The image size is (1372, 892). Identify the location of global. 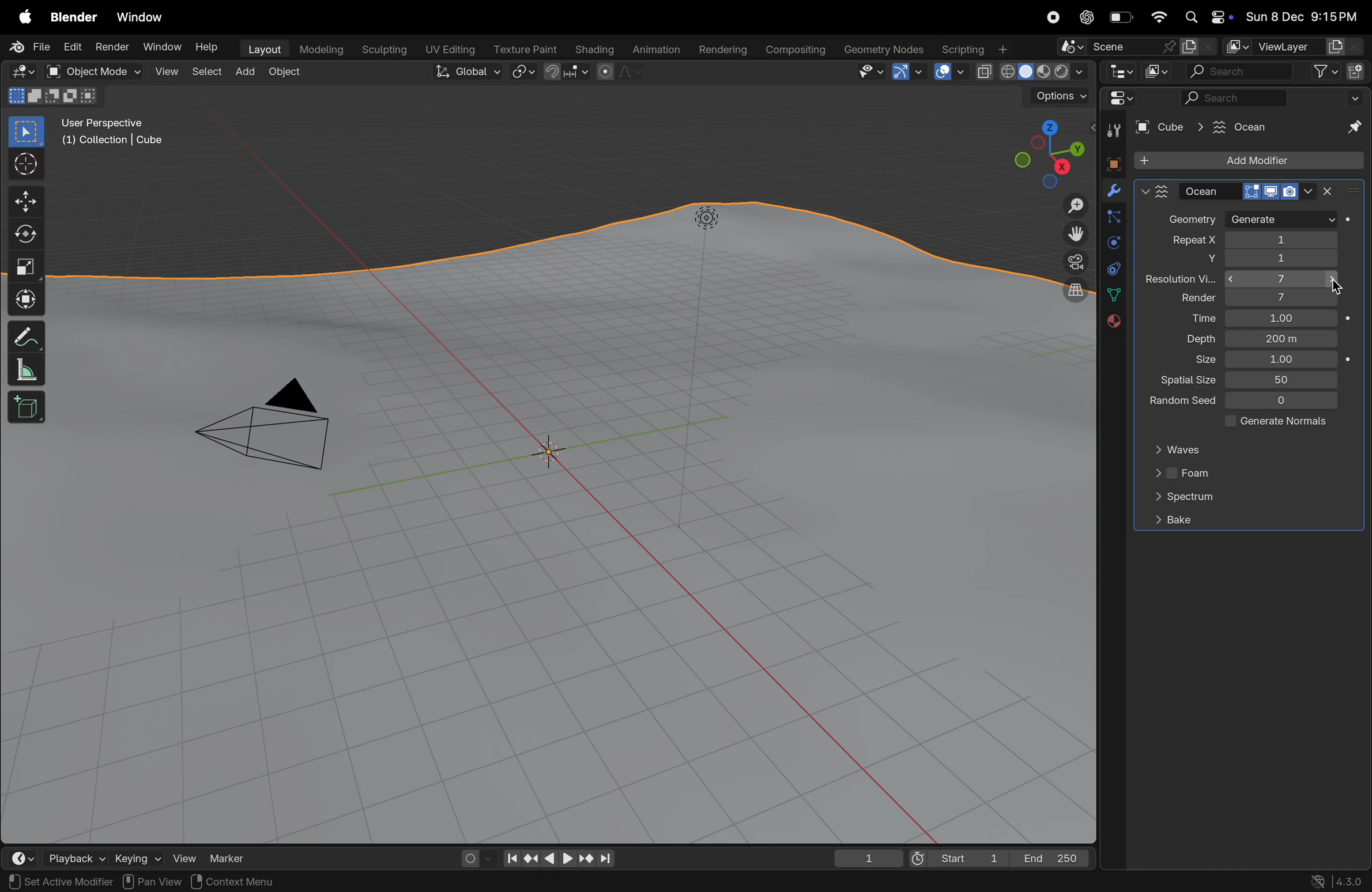
(469, 73).